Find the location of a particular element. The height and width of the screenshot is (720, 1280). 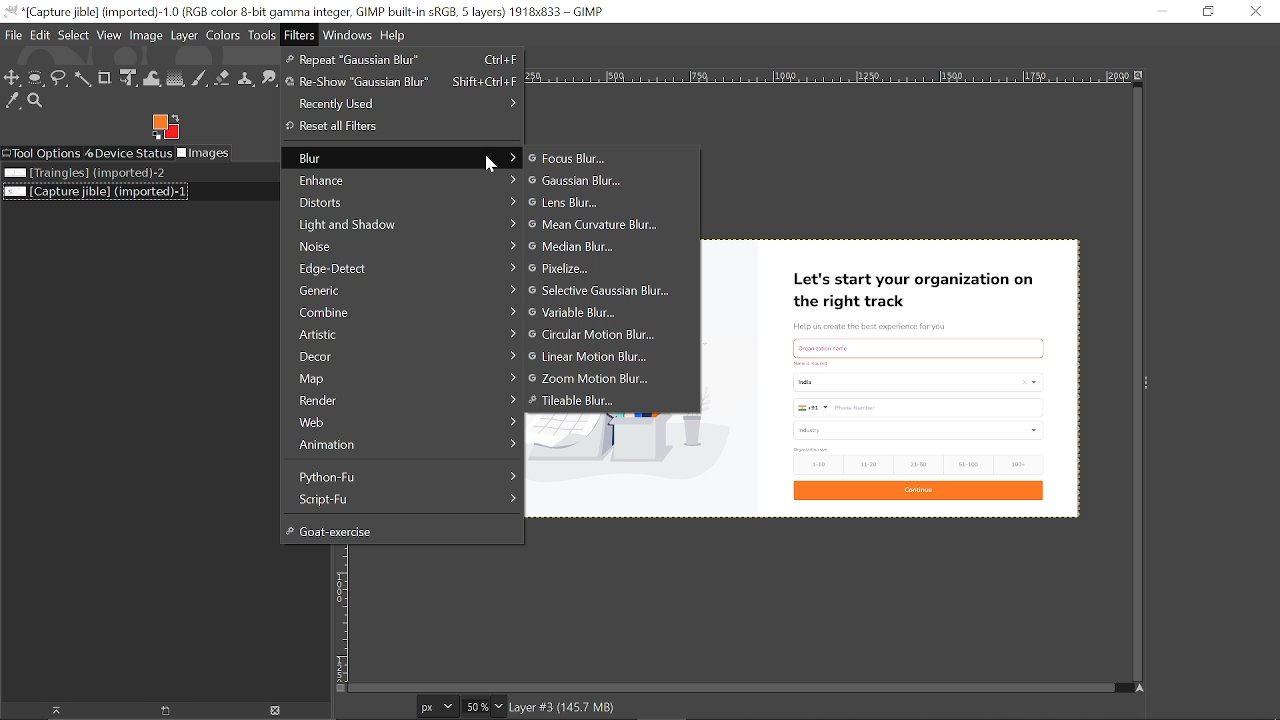

Tileable blur is located at coordinates (610, 402).